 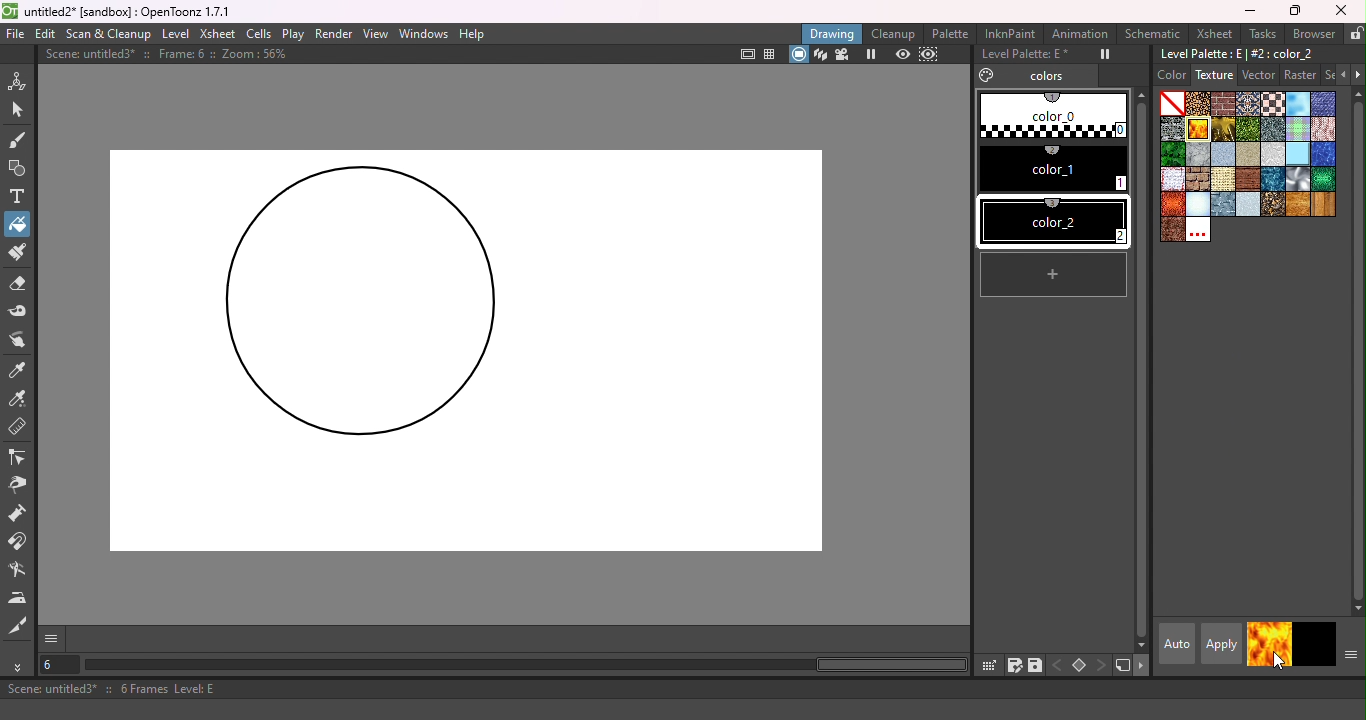 What do you see at coordinates (53, 639) in the screenshot?
I see `GUI show/hide` at bounding box center [53, 639].